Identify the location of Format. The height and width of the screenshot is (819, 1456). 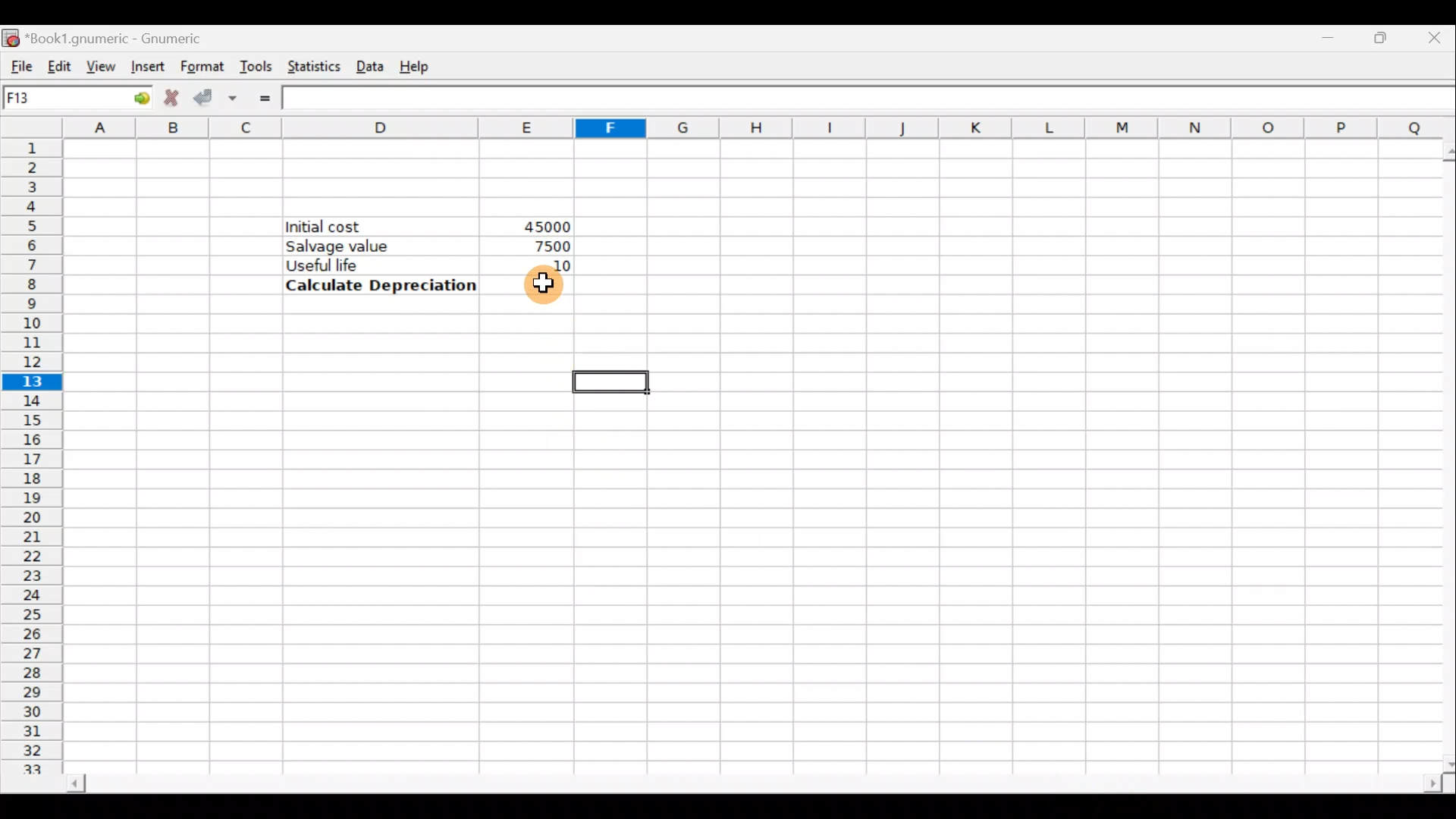
(200, 65).